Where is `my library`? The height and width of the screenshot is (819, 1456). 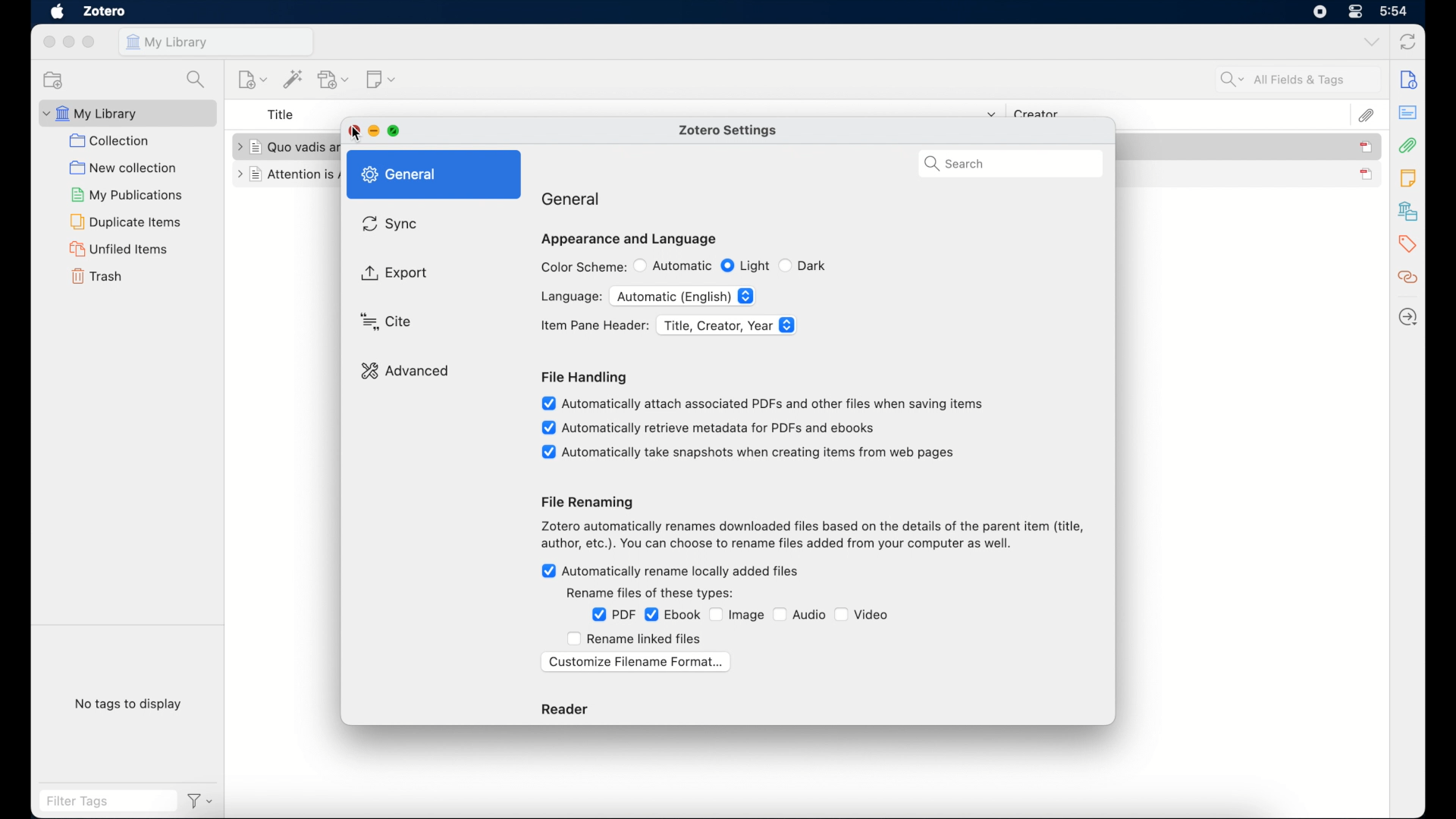 my library is located at coordinates (128, 112).